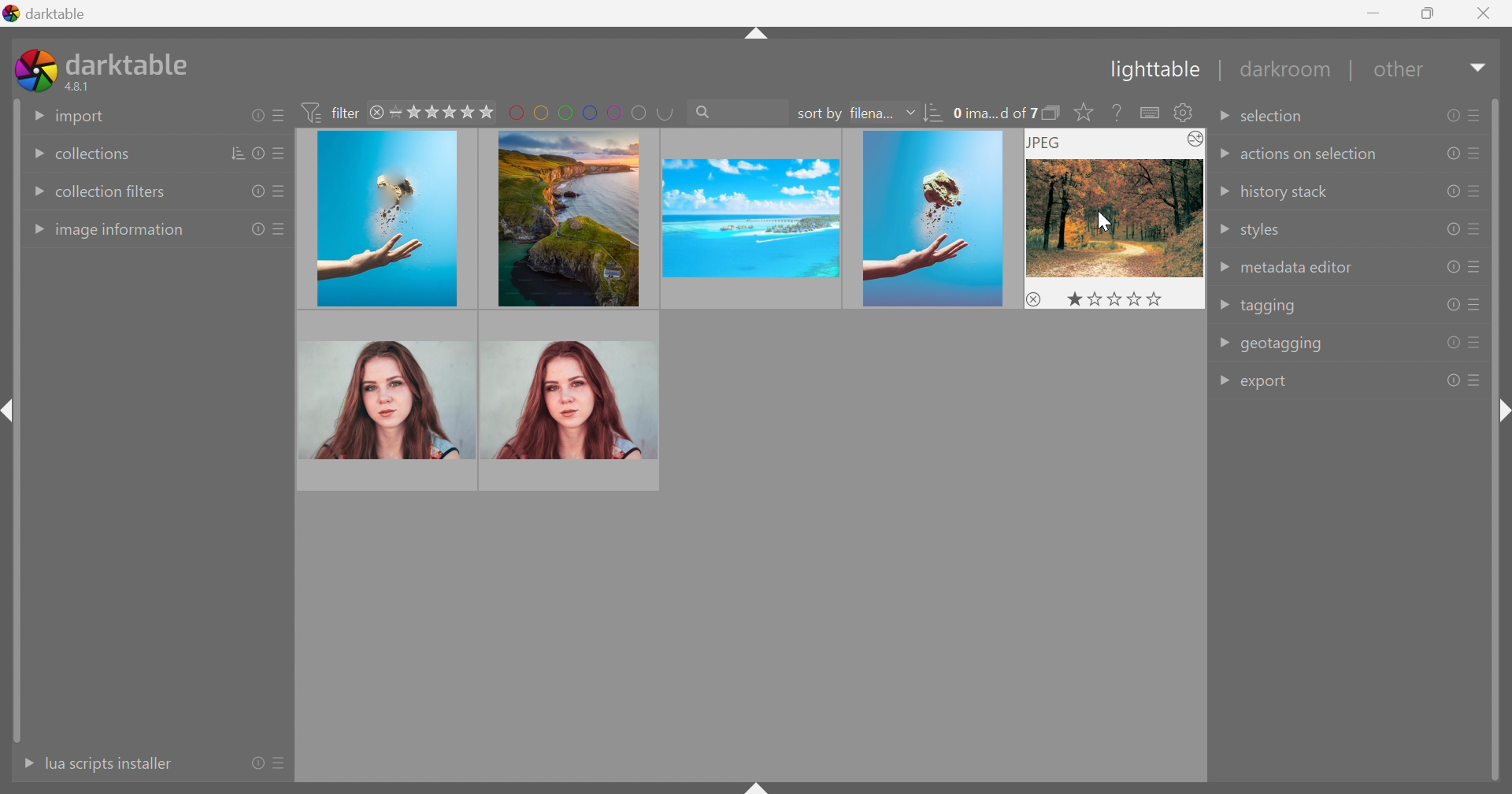 Image resolution: width=1512 pixels, height=794 pixels. I want to click on reset, so click(1450, 194).